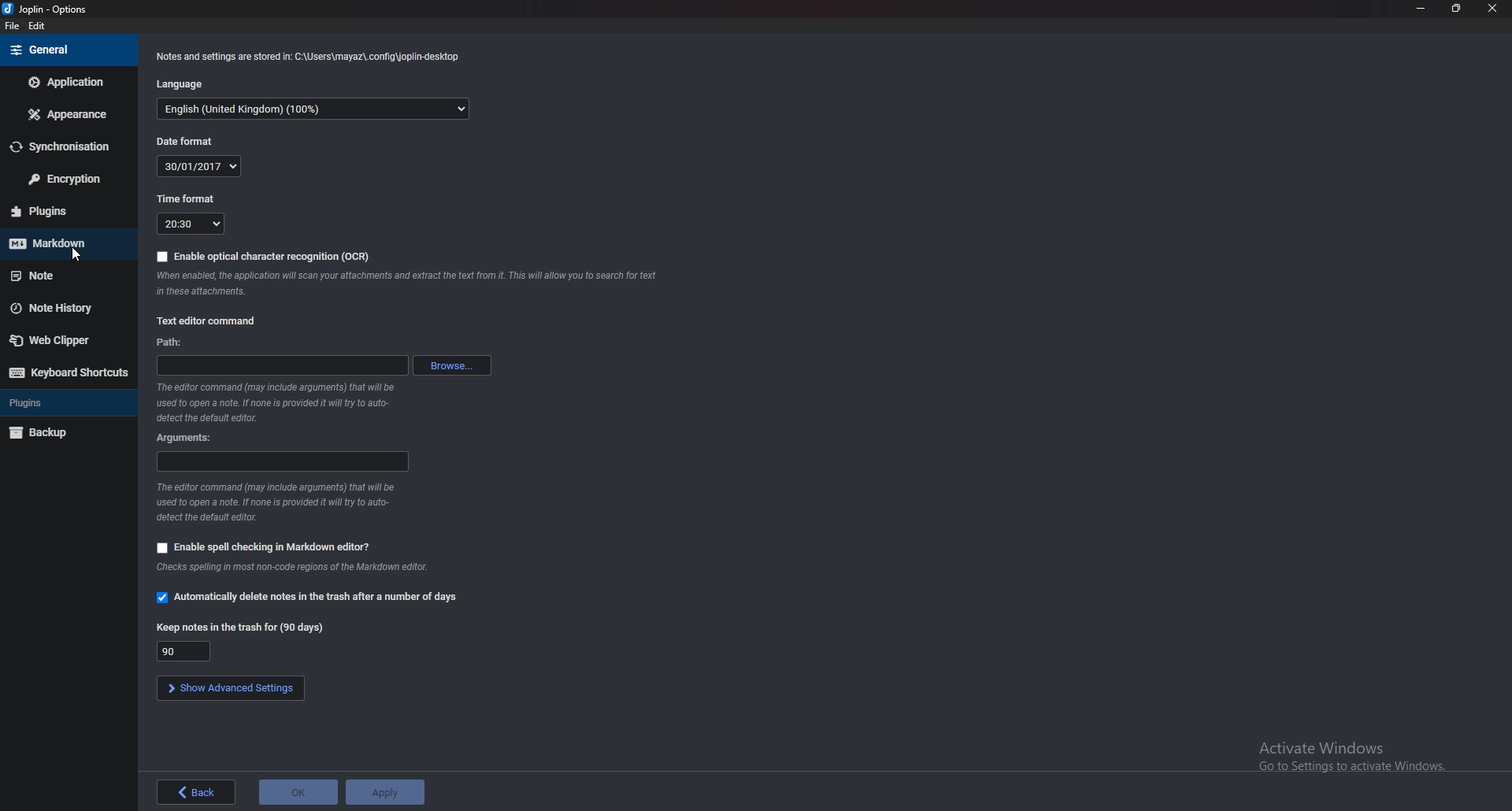 Image resolution: width=1512 pixels, height=811 pixels. What do you see at coordinates (63, 342) in the screenshot?
I see `Web clipper` at bounding box center [63, 342].